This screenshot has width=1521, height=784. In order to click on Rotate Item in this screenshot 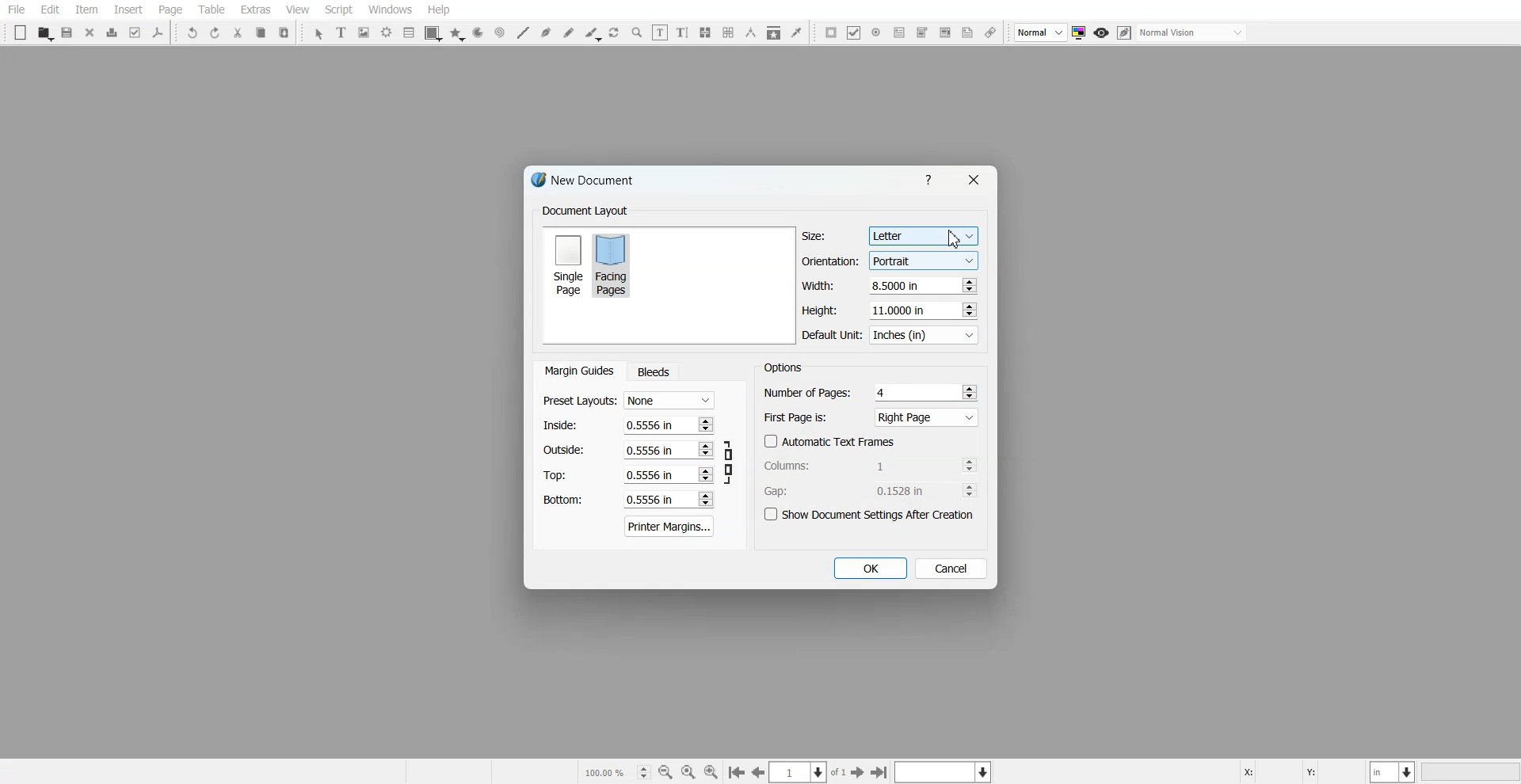, I will do `click(616, 33)`.